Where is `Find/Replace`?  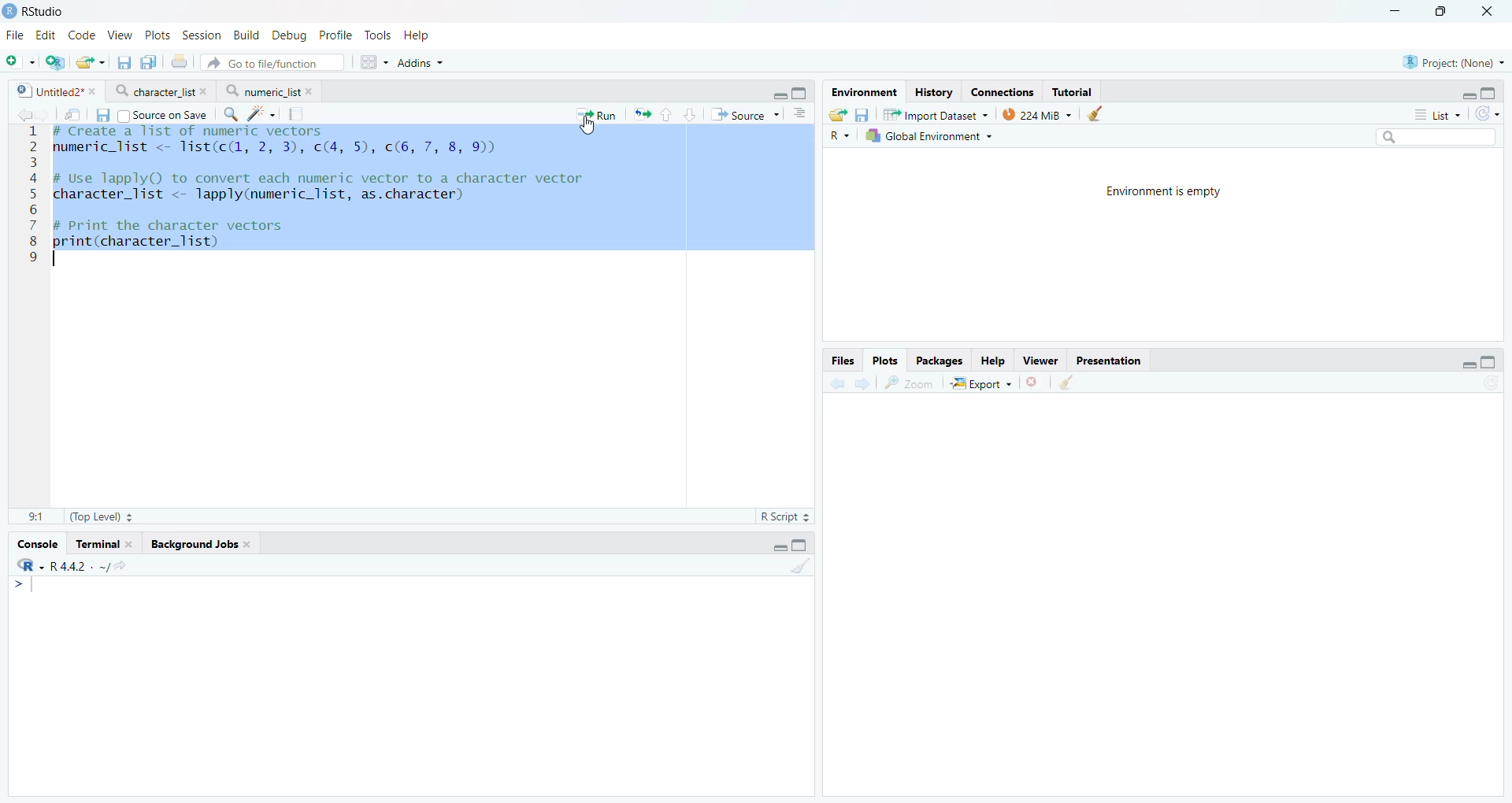 Find/Replace is located at coordinates (232, 115).